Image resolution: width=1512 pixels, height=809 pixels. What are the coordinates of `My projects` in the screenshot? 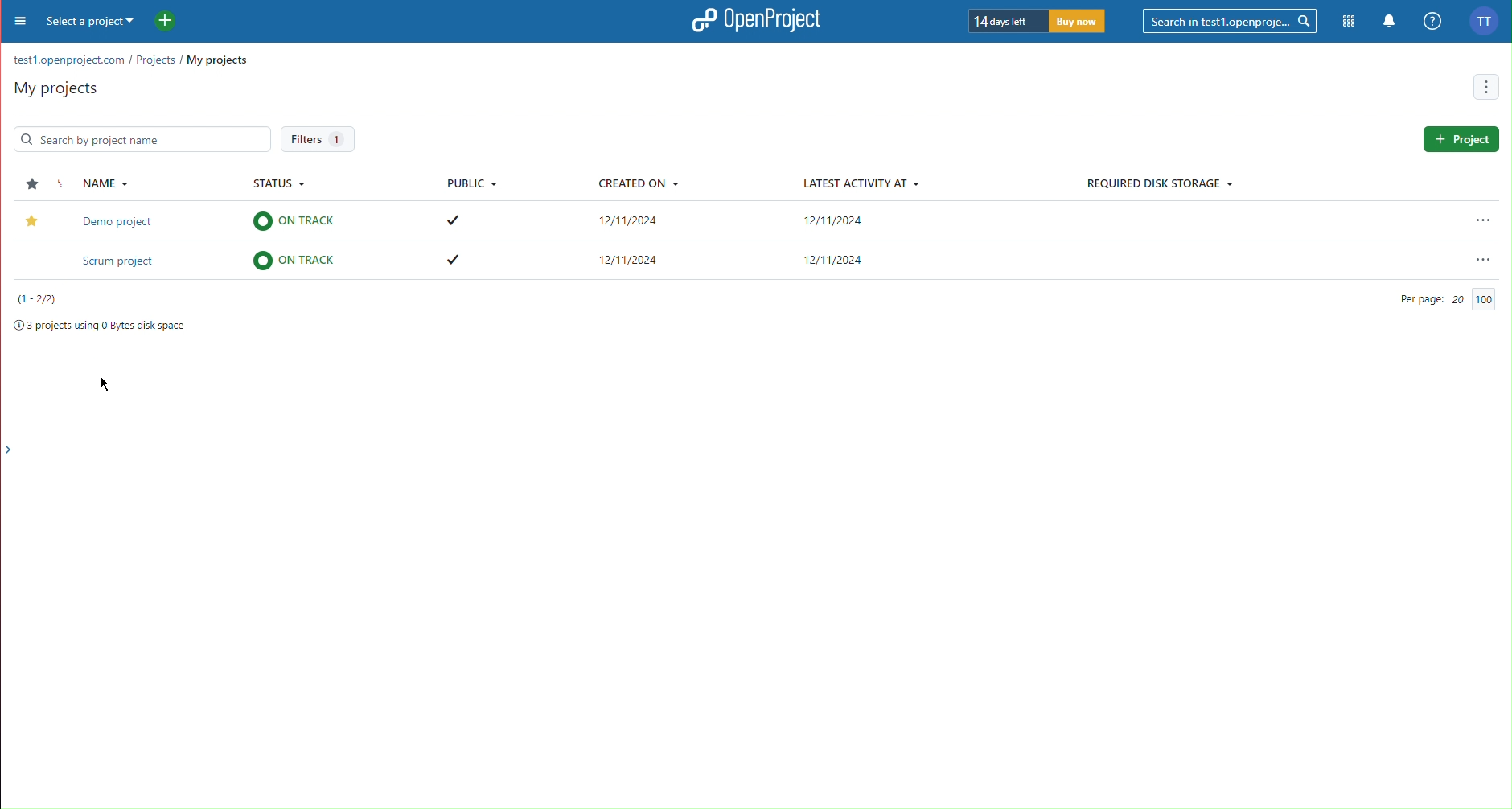 It's located at (52, 88).